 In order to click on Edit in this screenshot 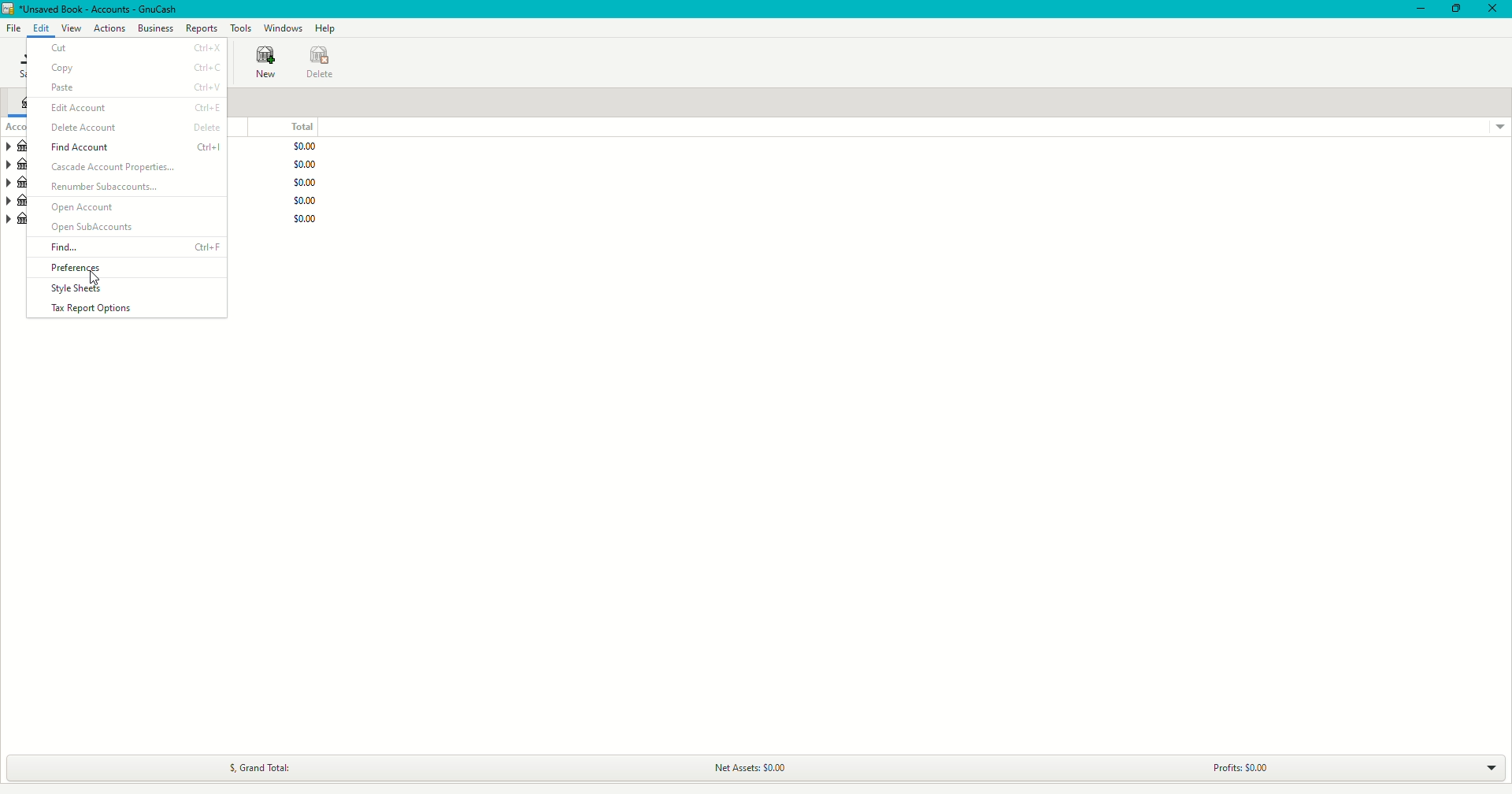, I will do `click(43, 28)`.